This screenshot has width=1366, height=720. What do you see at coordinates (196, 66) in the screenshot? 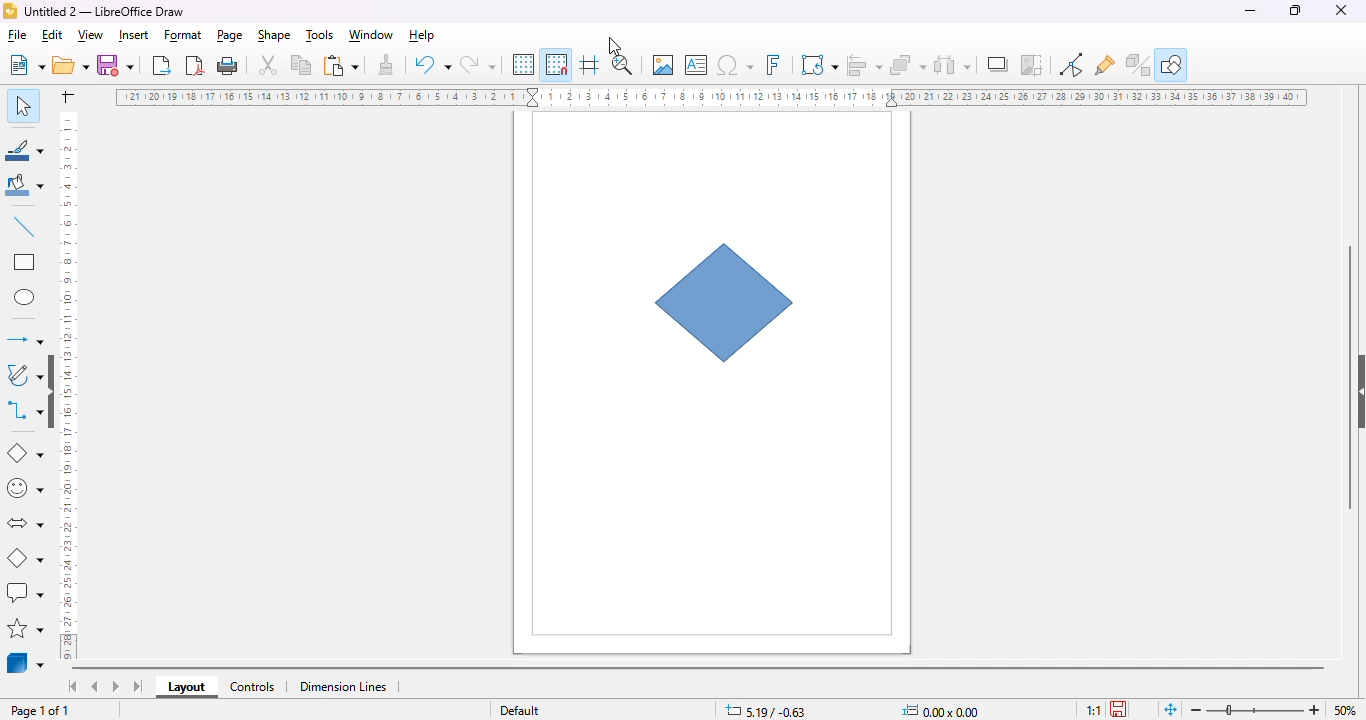
I see `export directly as PDF` at bounding box center [196, 66].